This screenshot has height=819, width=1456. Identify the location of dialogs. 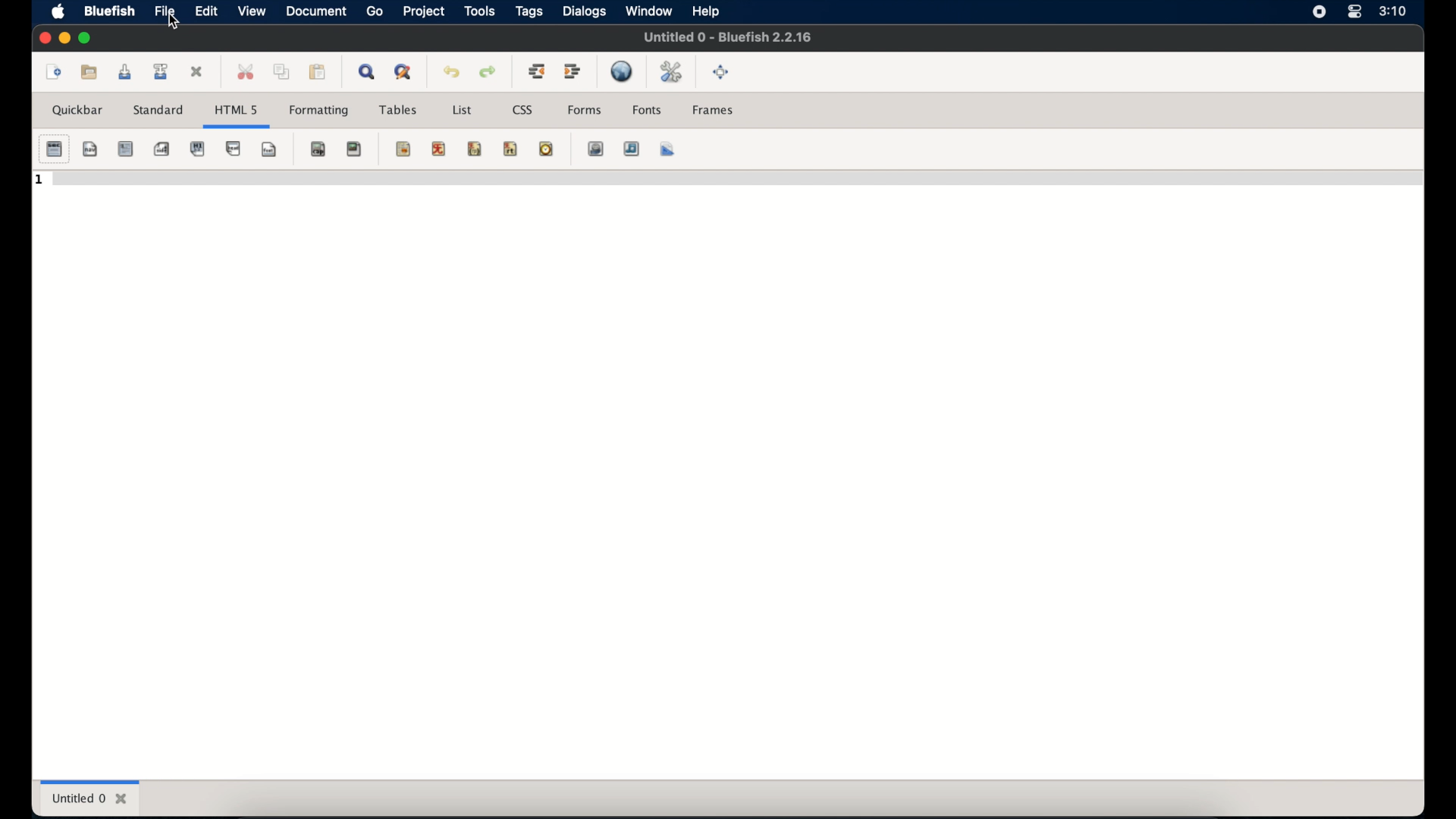
(584, 11).